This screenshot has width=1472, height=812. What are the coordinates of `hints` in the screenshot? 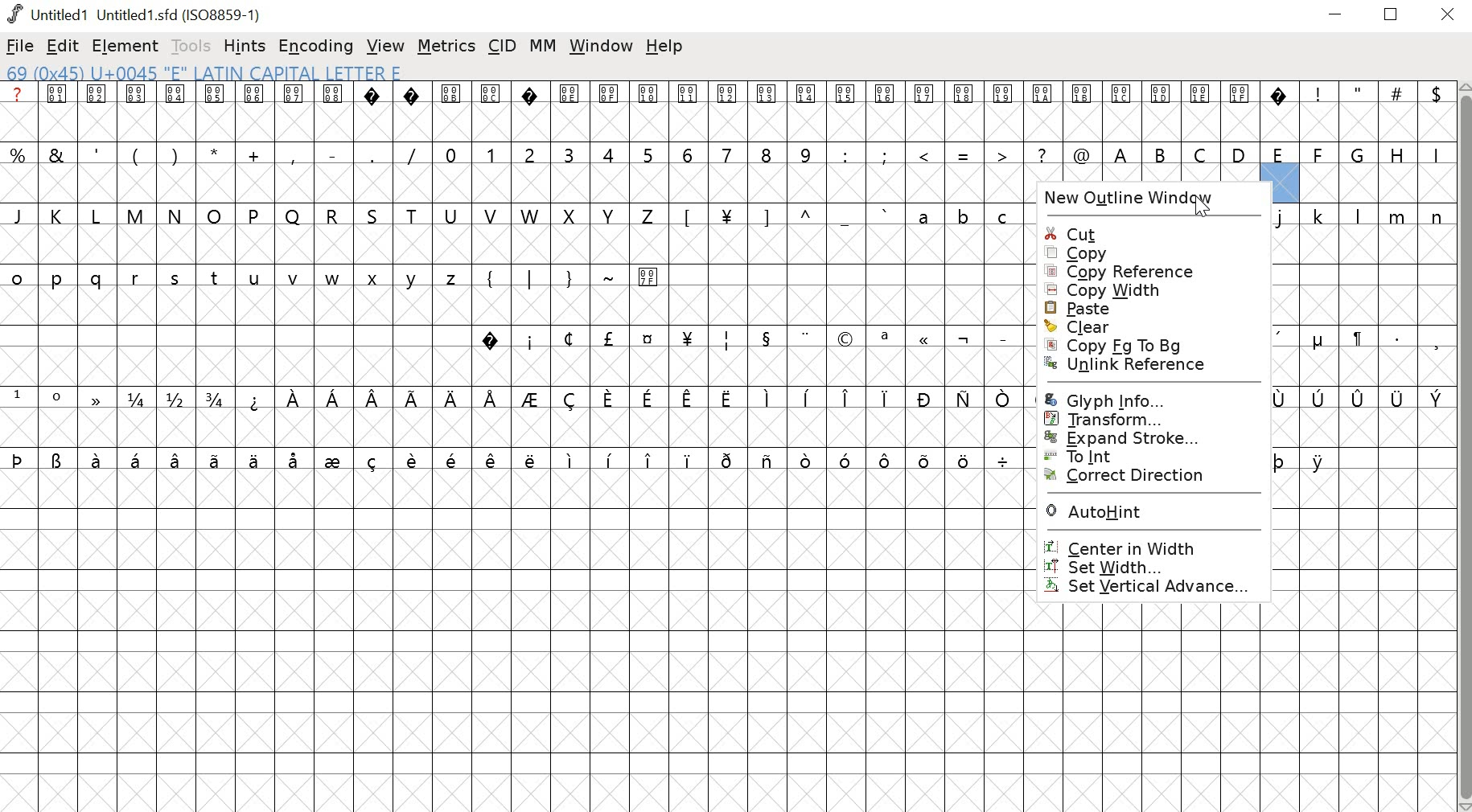 It's located at (245, 47).